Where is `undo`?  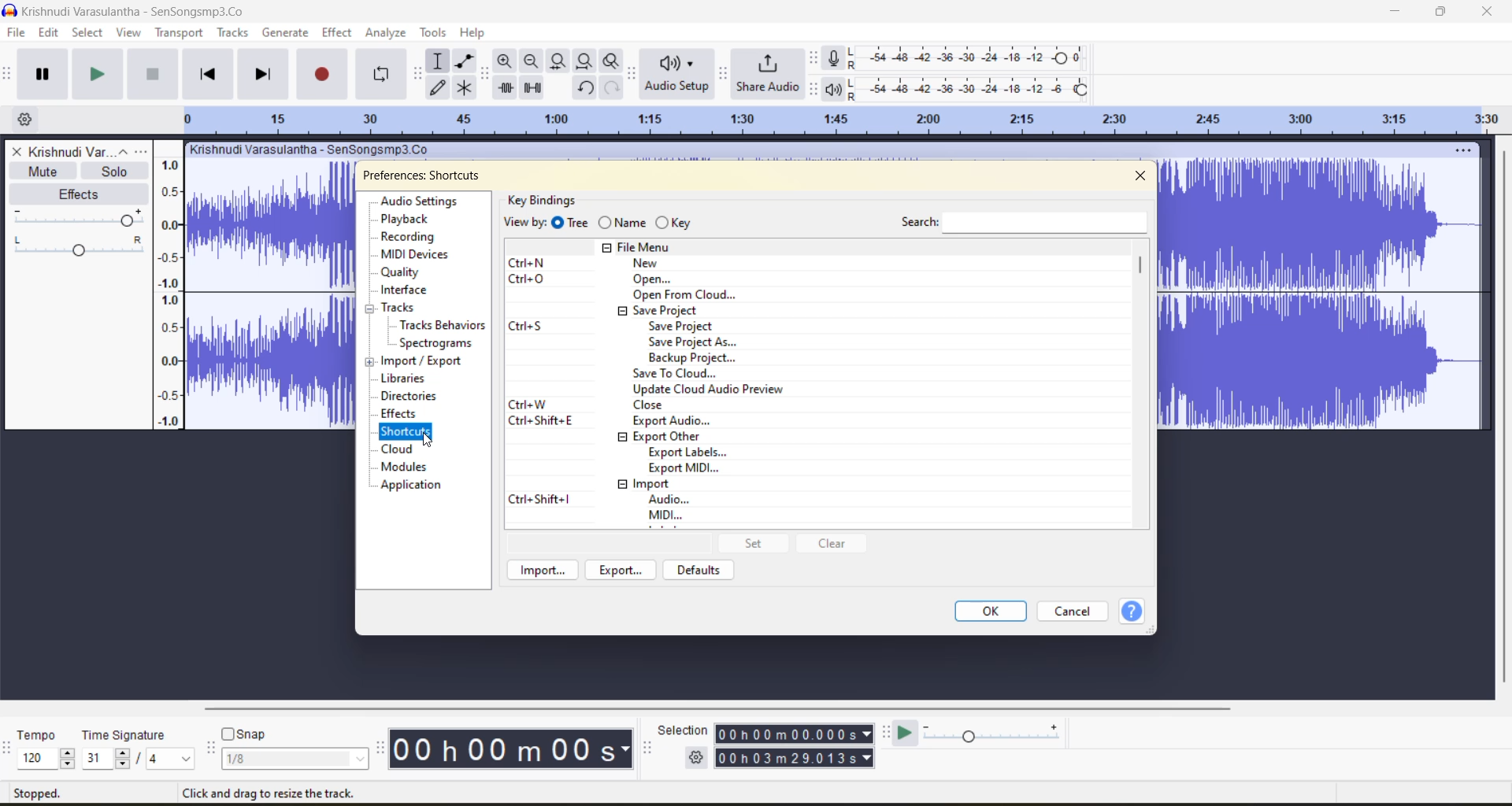
undo is located at coordinates (585, 88).